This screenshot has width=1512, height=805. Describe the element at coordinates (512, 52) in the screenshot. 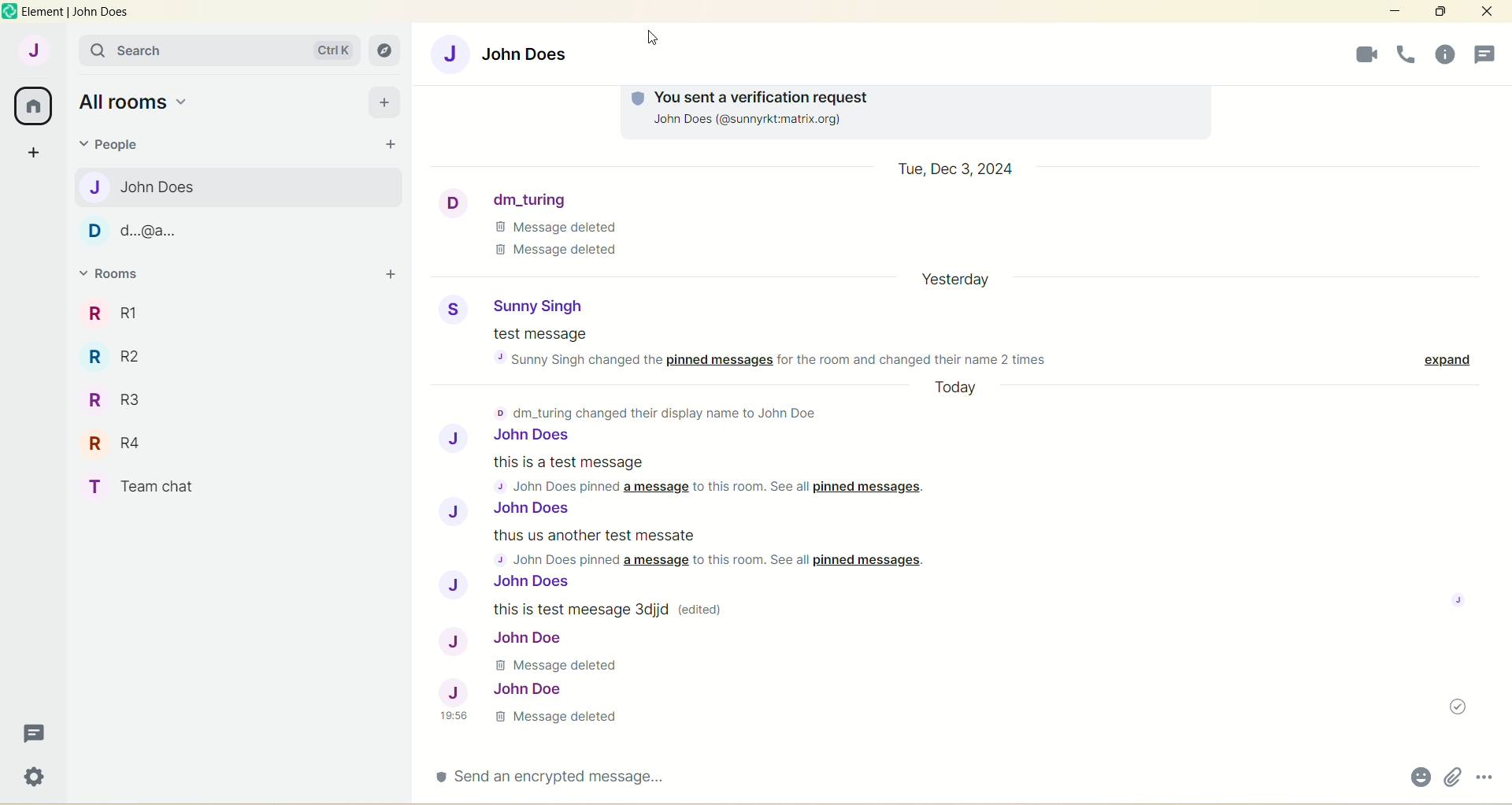

I see `John Does` at that location.